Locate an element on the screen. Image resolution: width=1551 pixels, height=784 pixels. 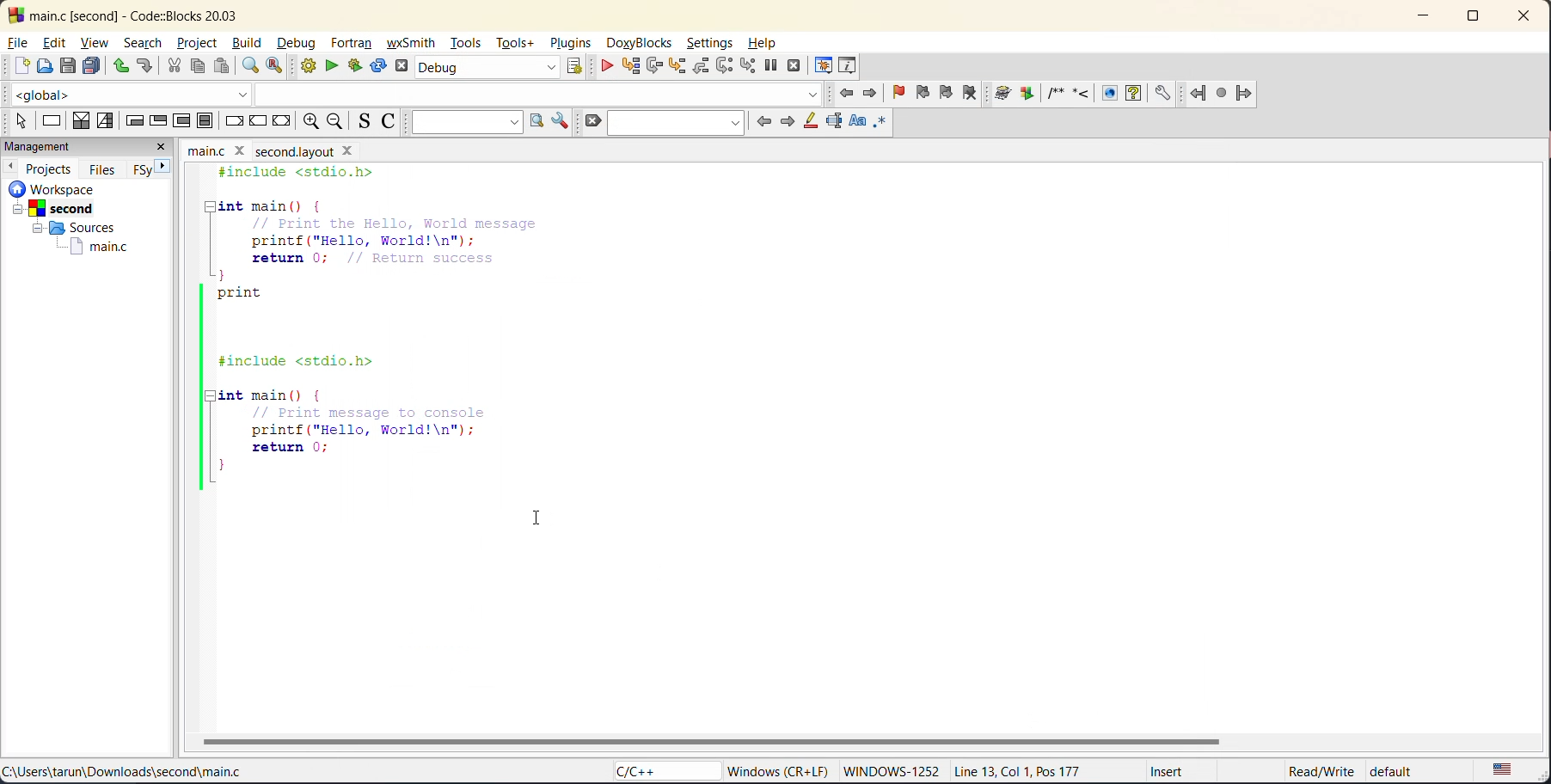
zoom in is located at coordinates (309, 122).